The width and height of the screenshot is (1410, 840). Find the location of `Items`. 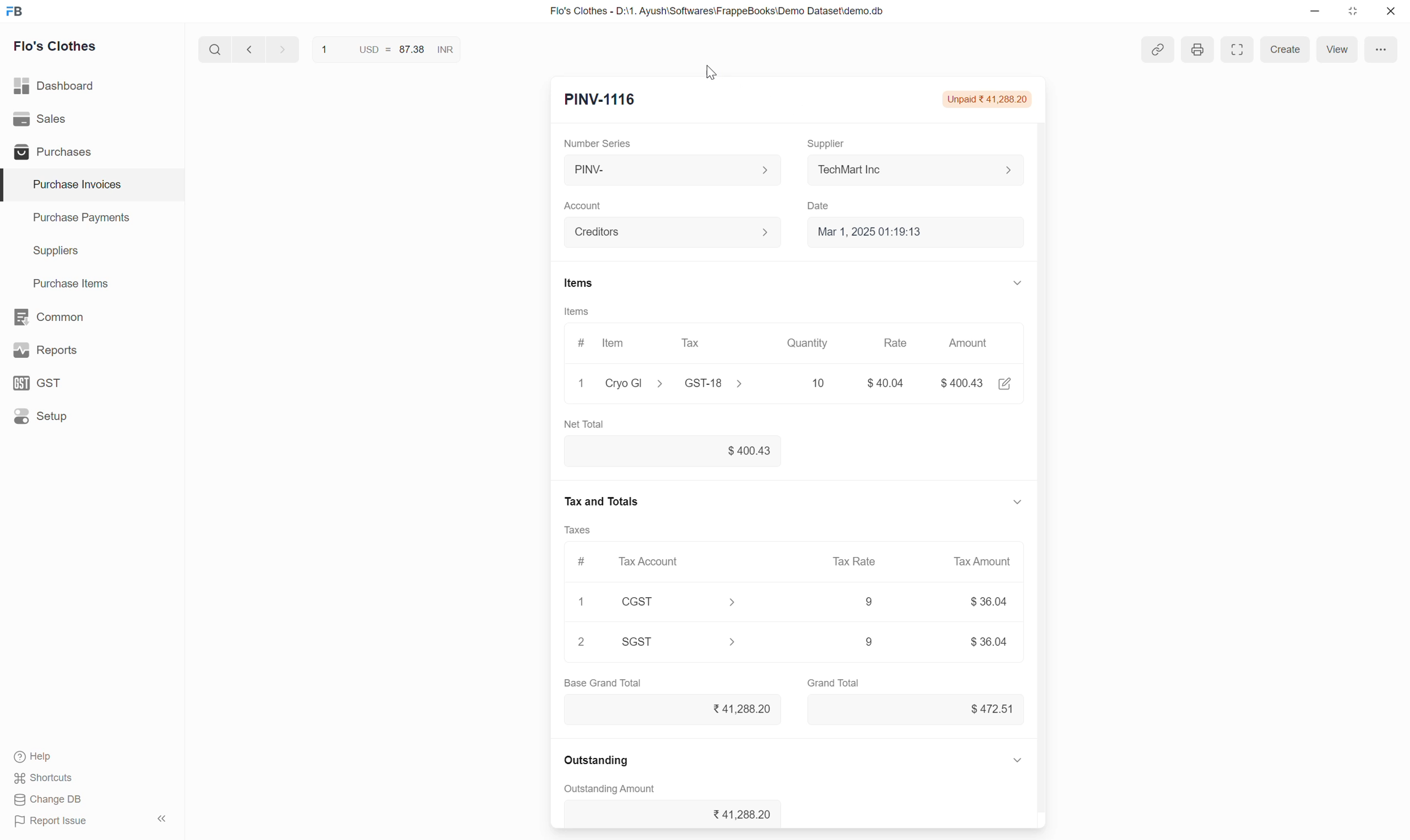

Items is located at coordinates (578, 283).